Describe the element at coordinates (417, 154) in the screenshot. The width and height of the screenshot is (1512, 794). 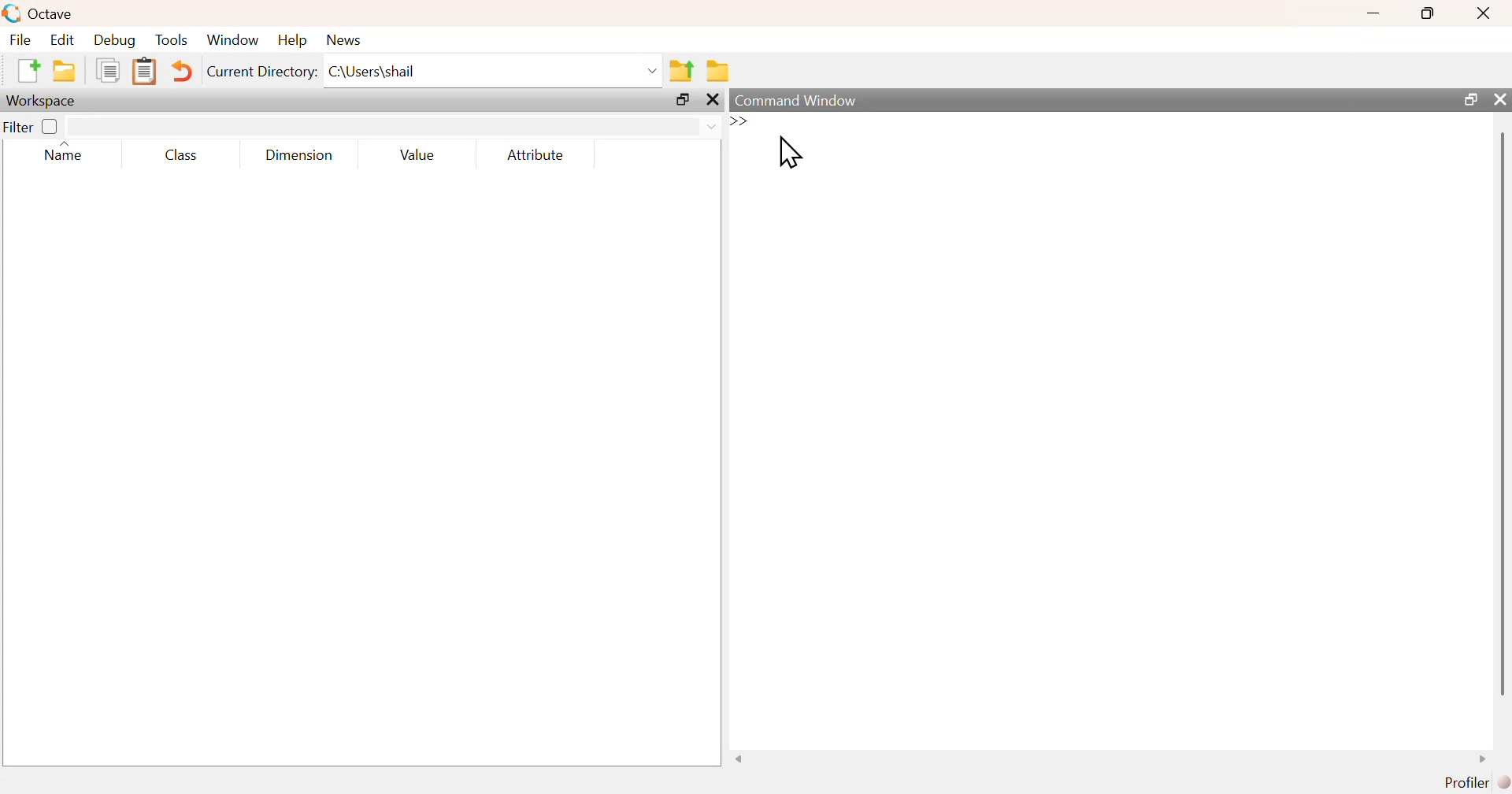
I see `Value` at that location.